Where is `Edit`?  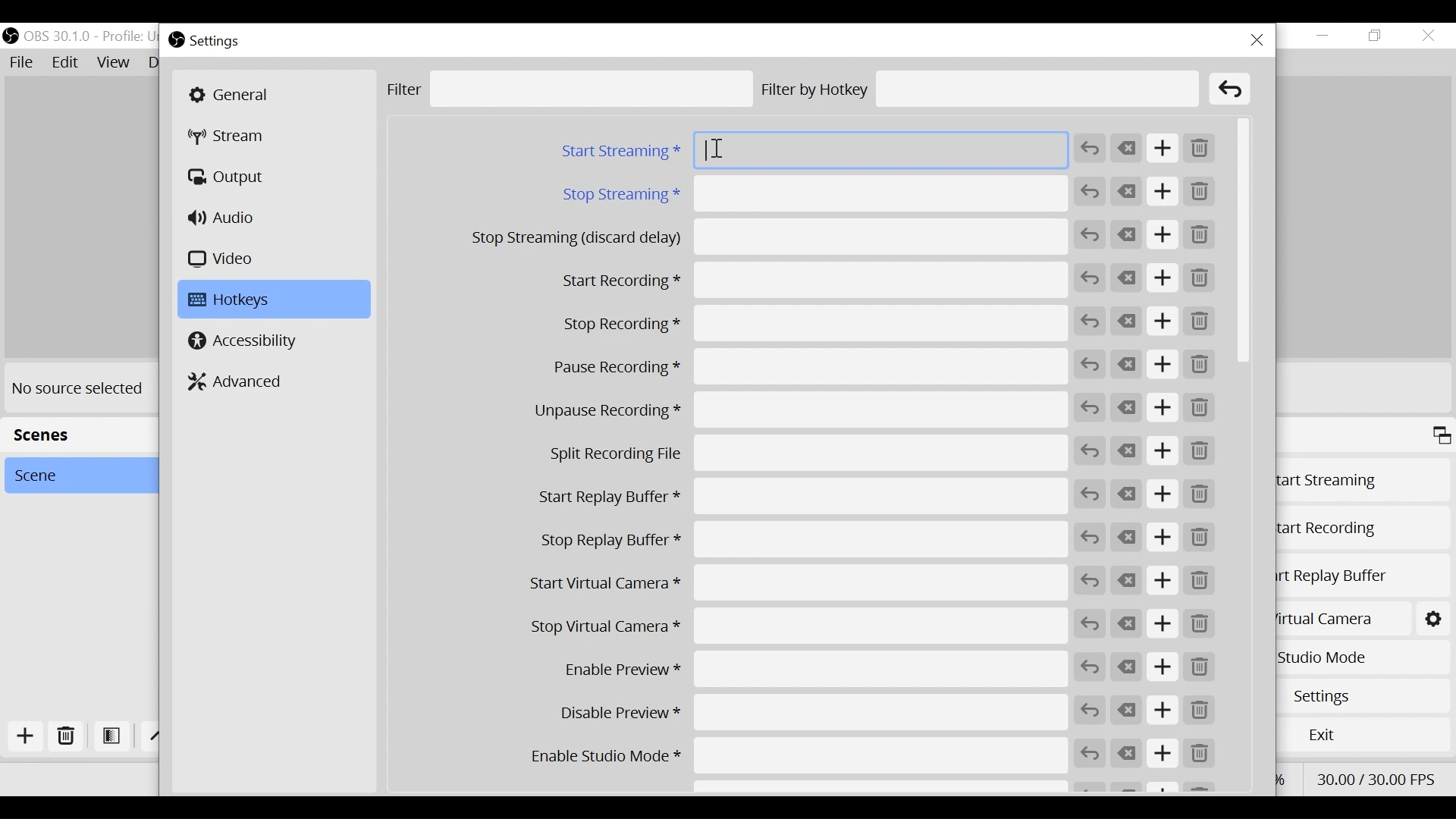
Edit is located at coordinates (66, 63).